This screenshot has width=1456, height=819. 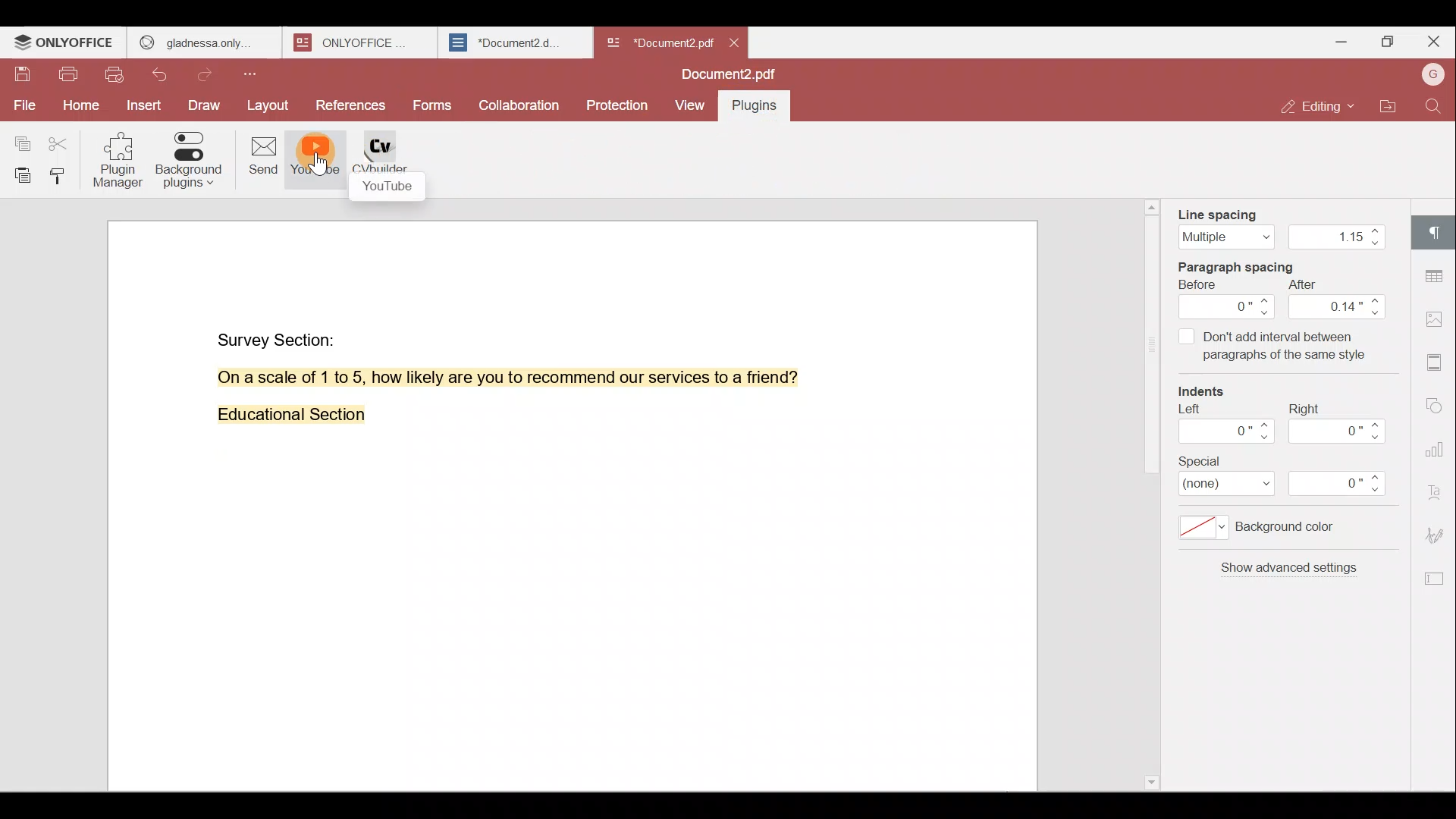 I want to click on Background color, so click(x=1270, y=532).